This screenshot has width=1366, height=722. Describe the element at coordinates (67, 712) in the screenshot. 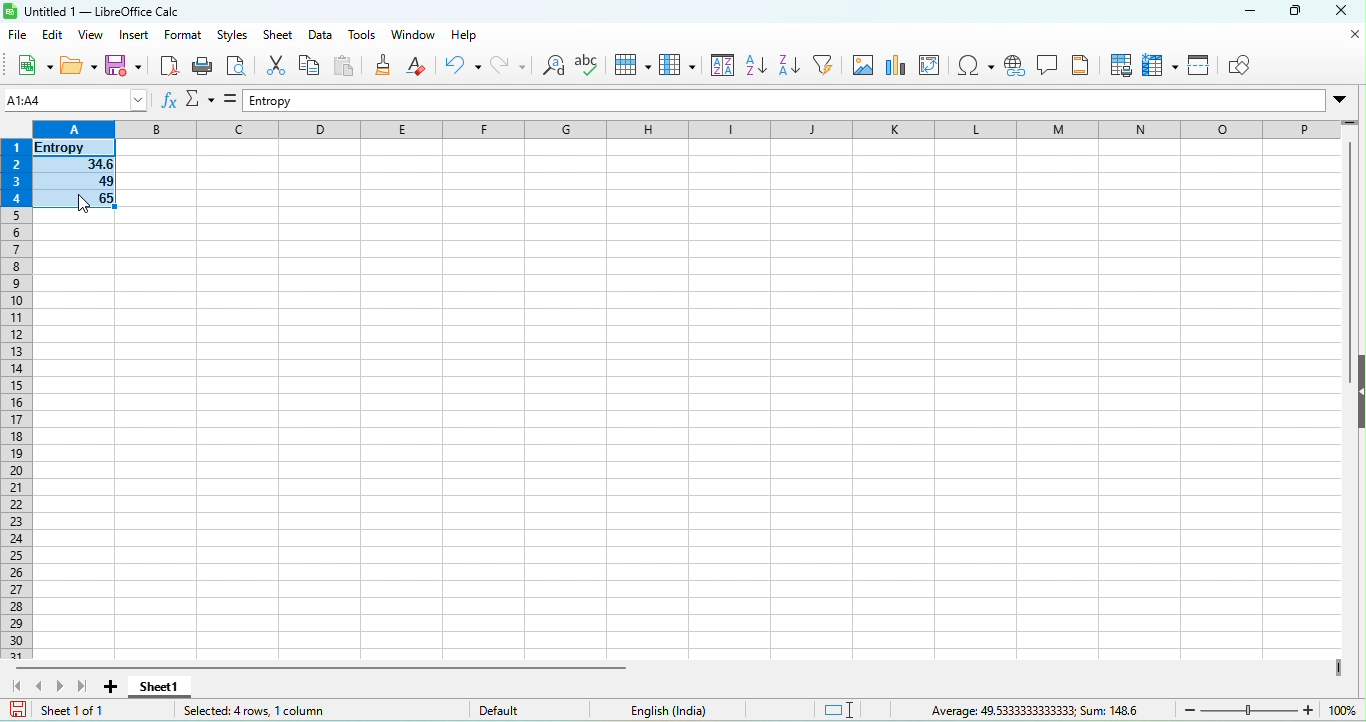

I see `sheet 1 of 1` at that location.